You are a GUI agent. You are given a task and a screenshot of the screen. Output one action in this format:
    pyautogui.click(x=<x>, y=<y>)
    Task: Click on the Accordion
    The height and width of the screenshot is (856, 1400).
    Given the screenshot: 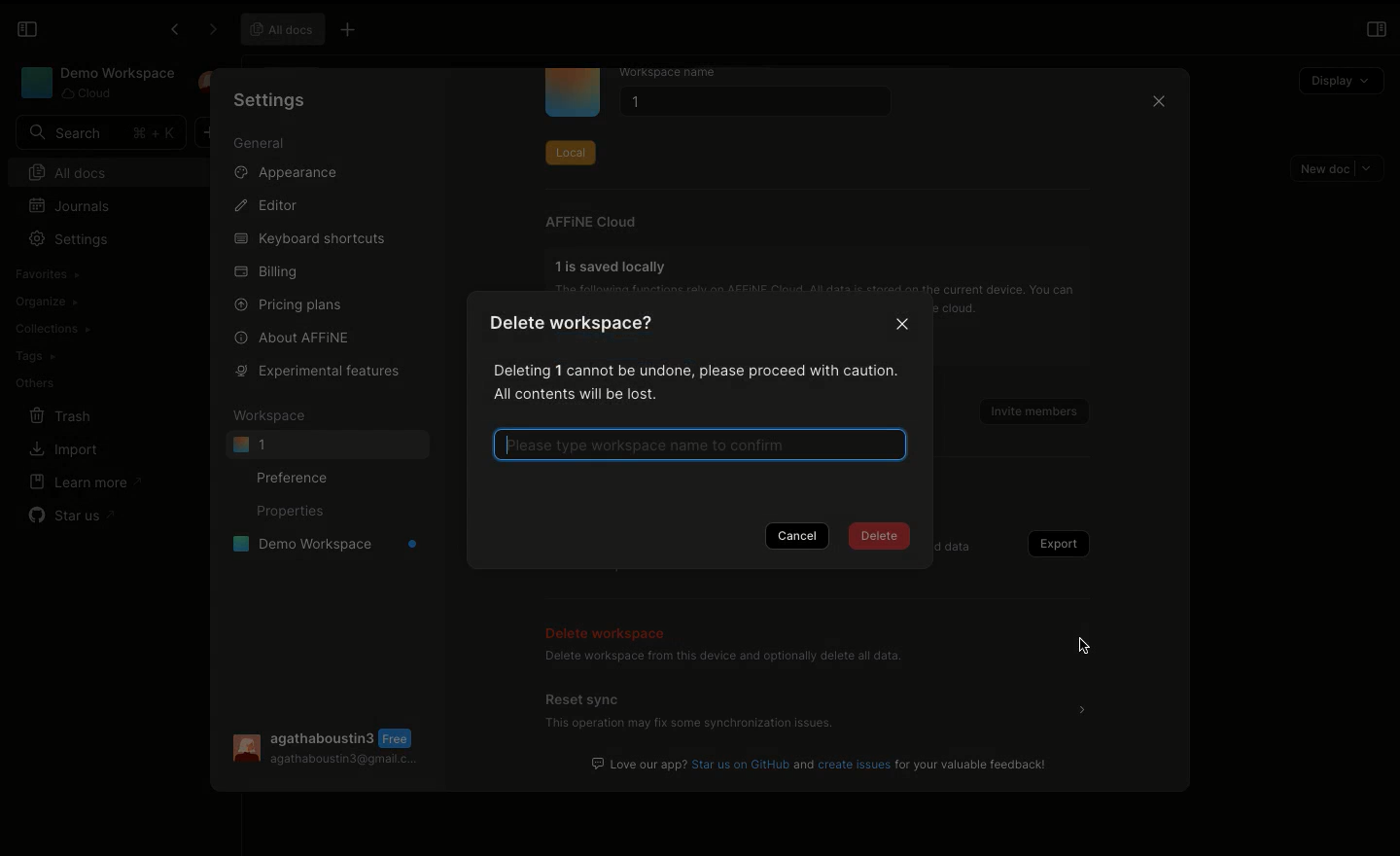 What is the action you would take?
    pyautogui.click(x=1082, y=709)
    